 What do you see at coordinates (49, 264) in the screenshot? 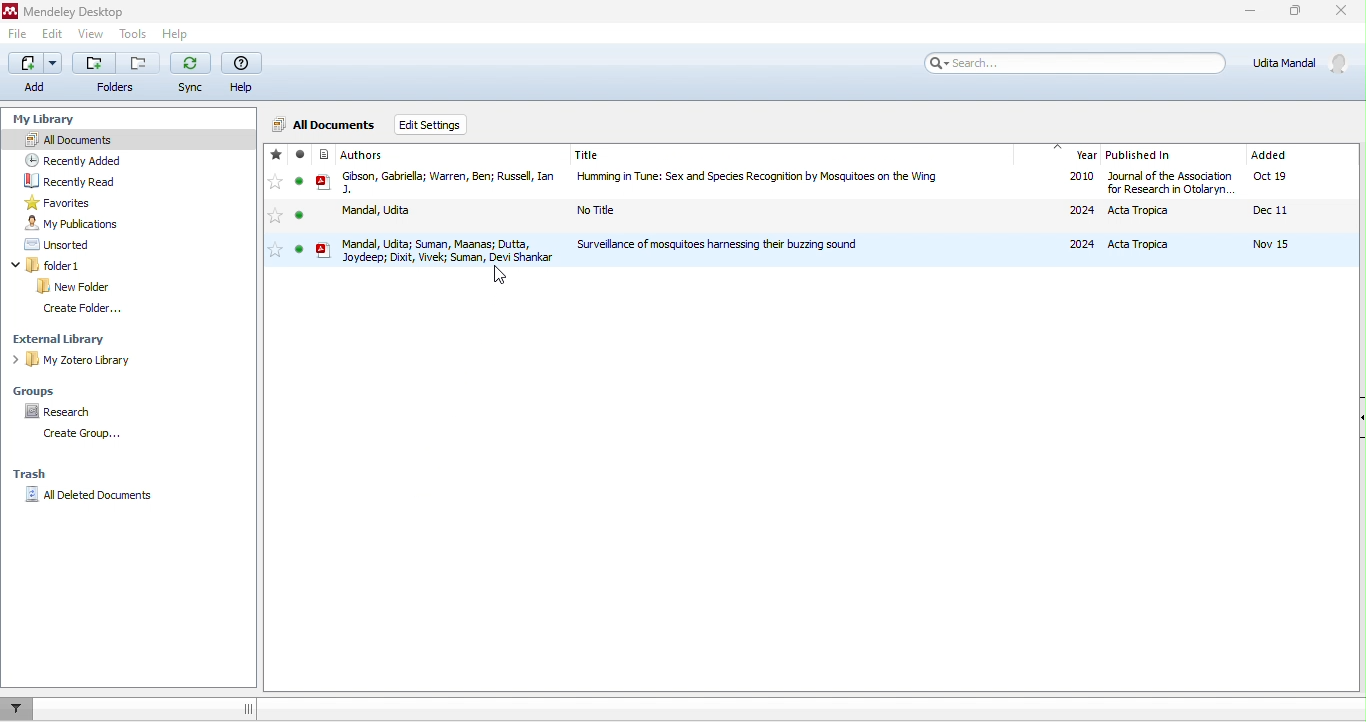
I see `folder 1` at bounding box center [49, 264].